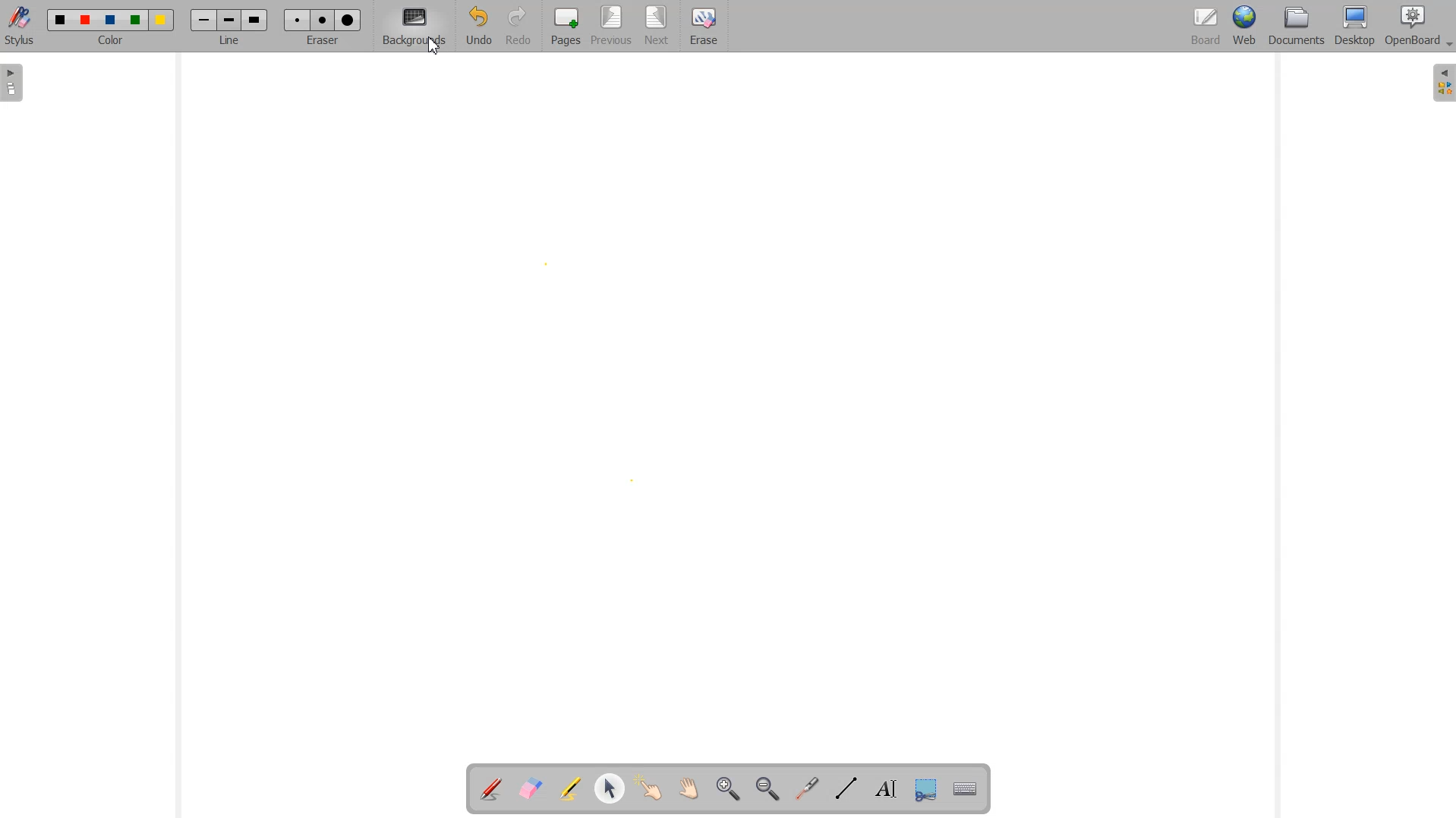  Describe the element at coordinates (1246, 27) in the screenshot. I see `Web` at that location.